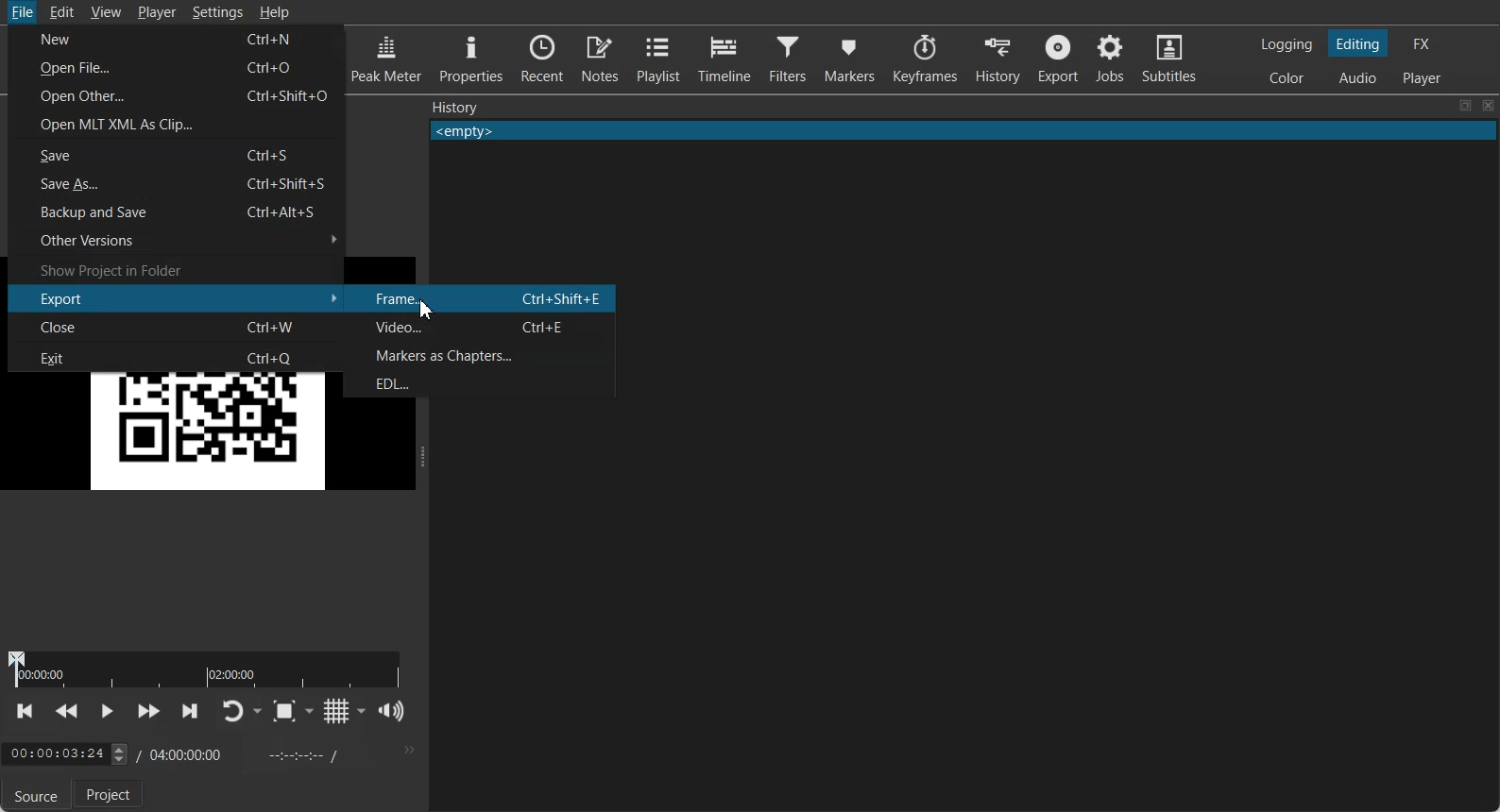  I want to click on File, so click(22, 13).